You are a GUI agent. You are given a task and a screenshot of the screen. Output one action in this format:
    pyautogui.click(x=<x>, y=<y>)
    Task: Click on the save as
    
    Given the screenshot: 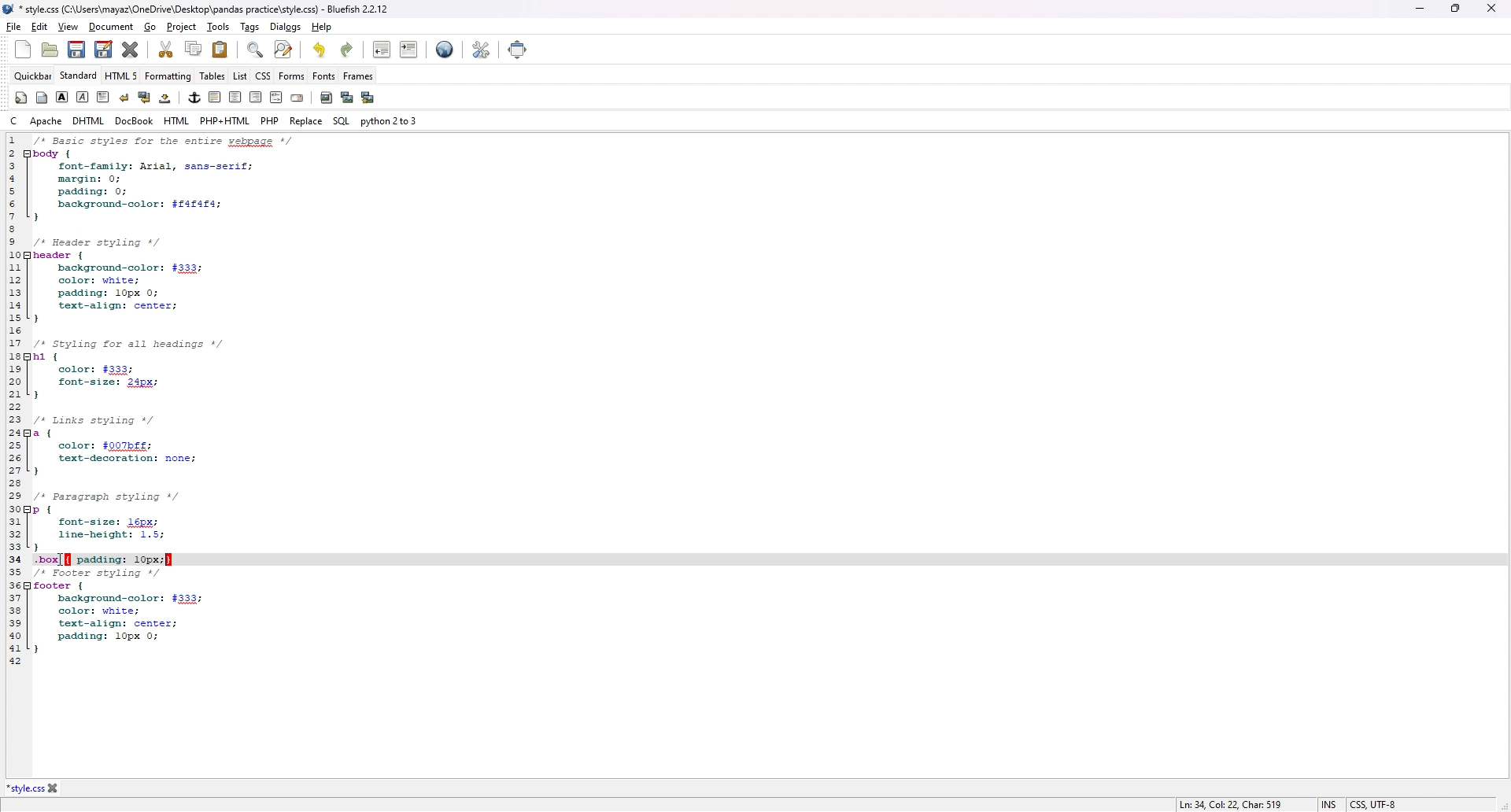 What is the action you would take?
    pyautogui.click(x=105, y=50)
    